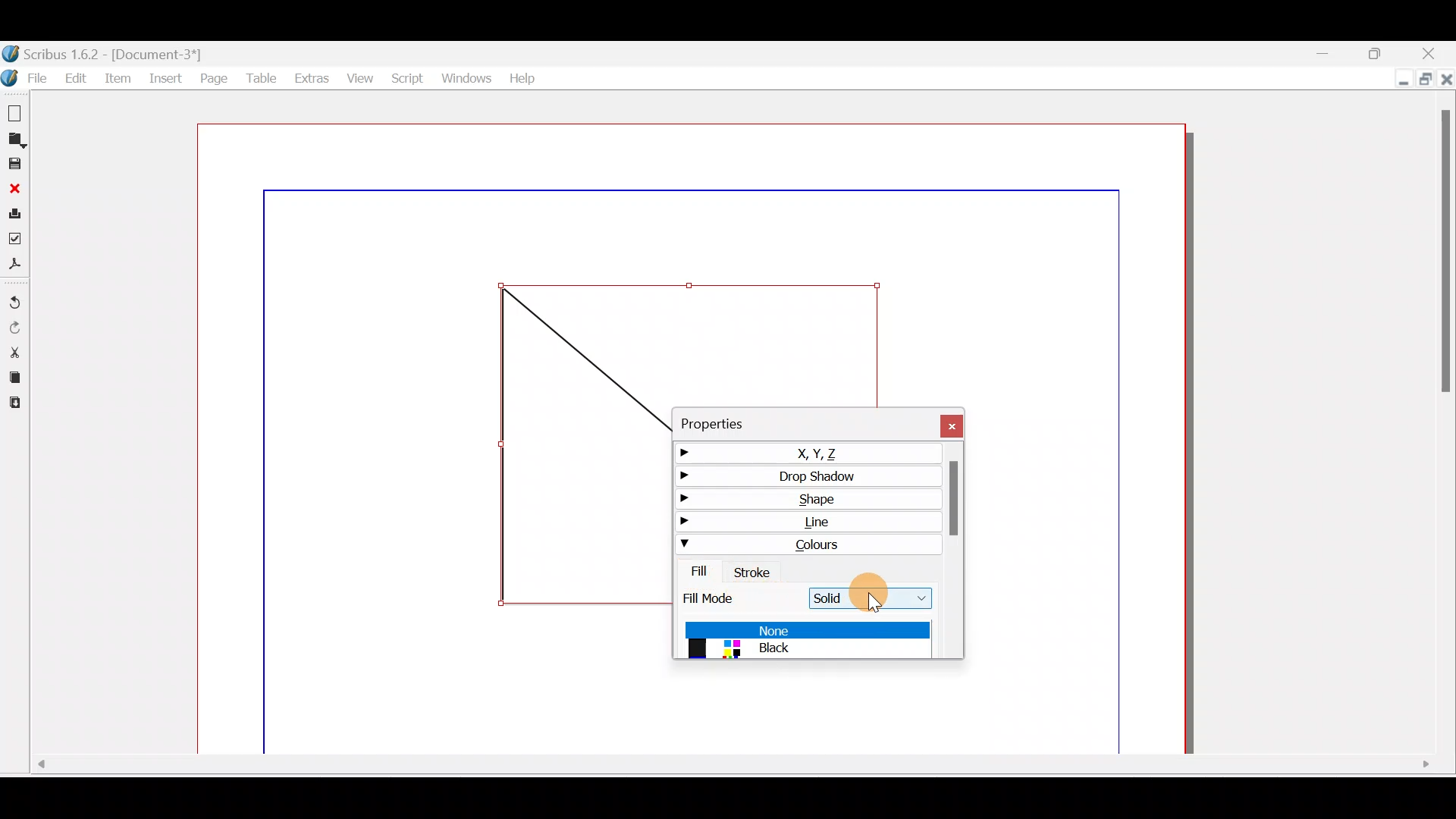 The image size is (1456, 819). What do you see at coordinates (18, 237) in the screenshot?
I see `Preflight verifier` at bounding box center [18, 237].